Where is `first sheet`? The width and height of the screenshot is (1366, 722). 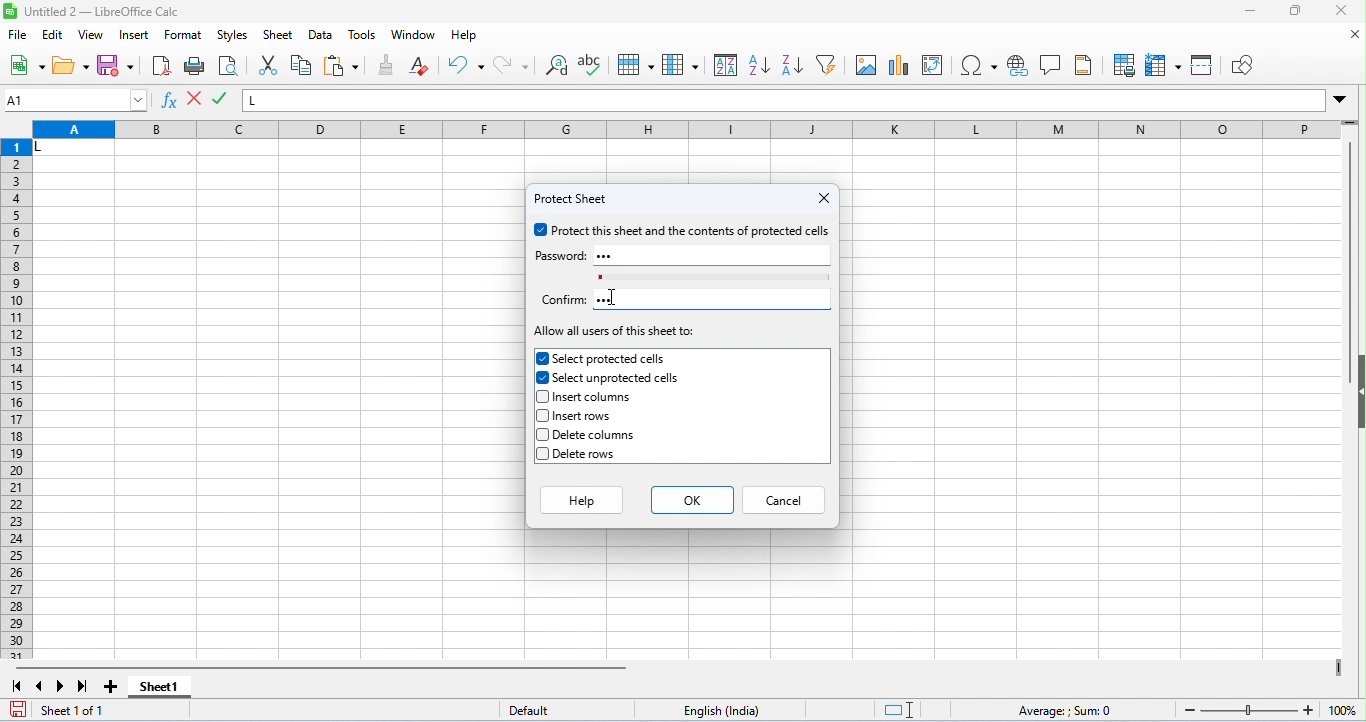 first sheet is located at coordinates (17, 686).